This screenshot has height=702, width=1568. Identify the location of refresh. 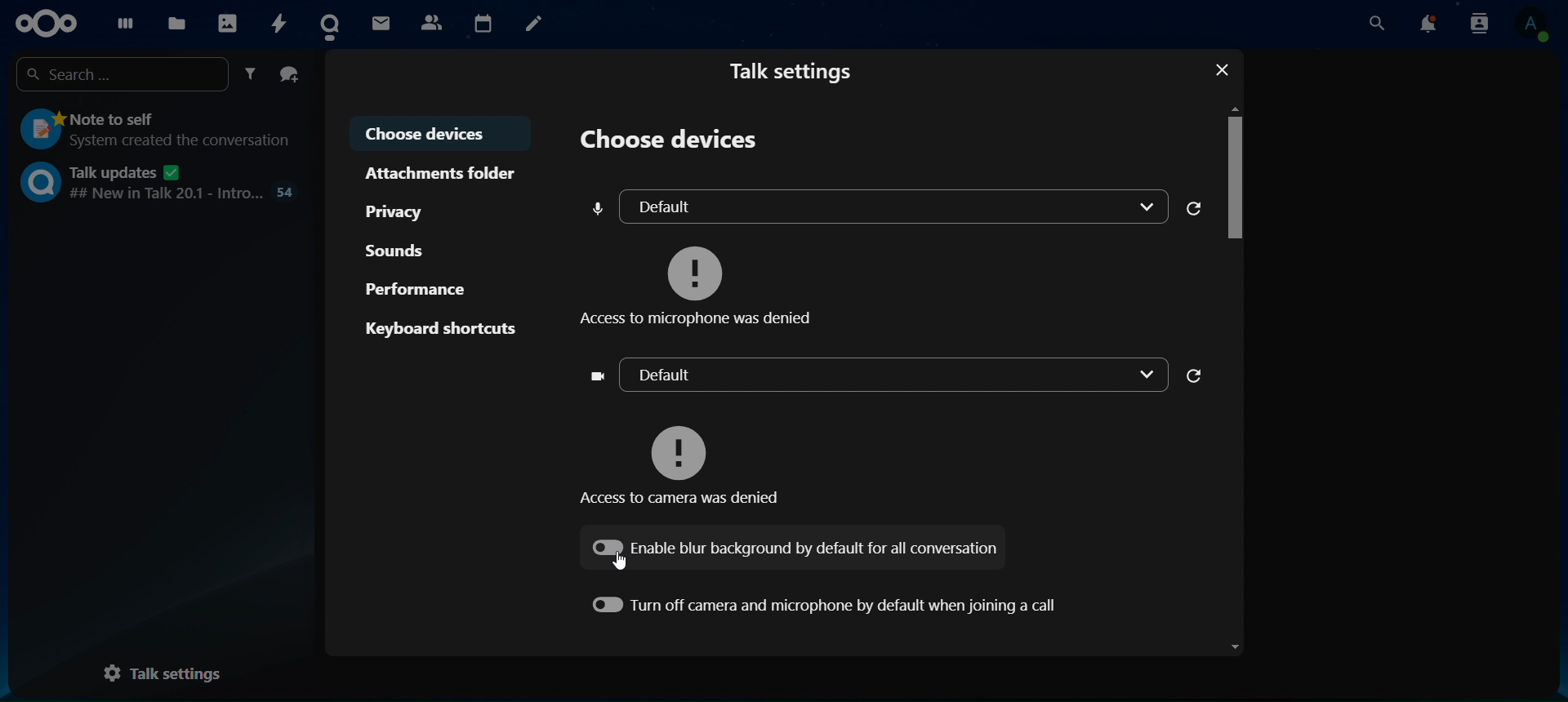
(1196, 207).